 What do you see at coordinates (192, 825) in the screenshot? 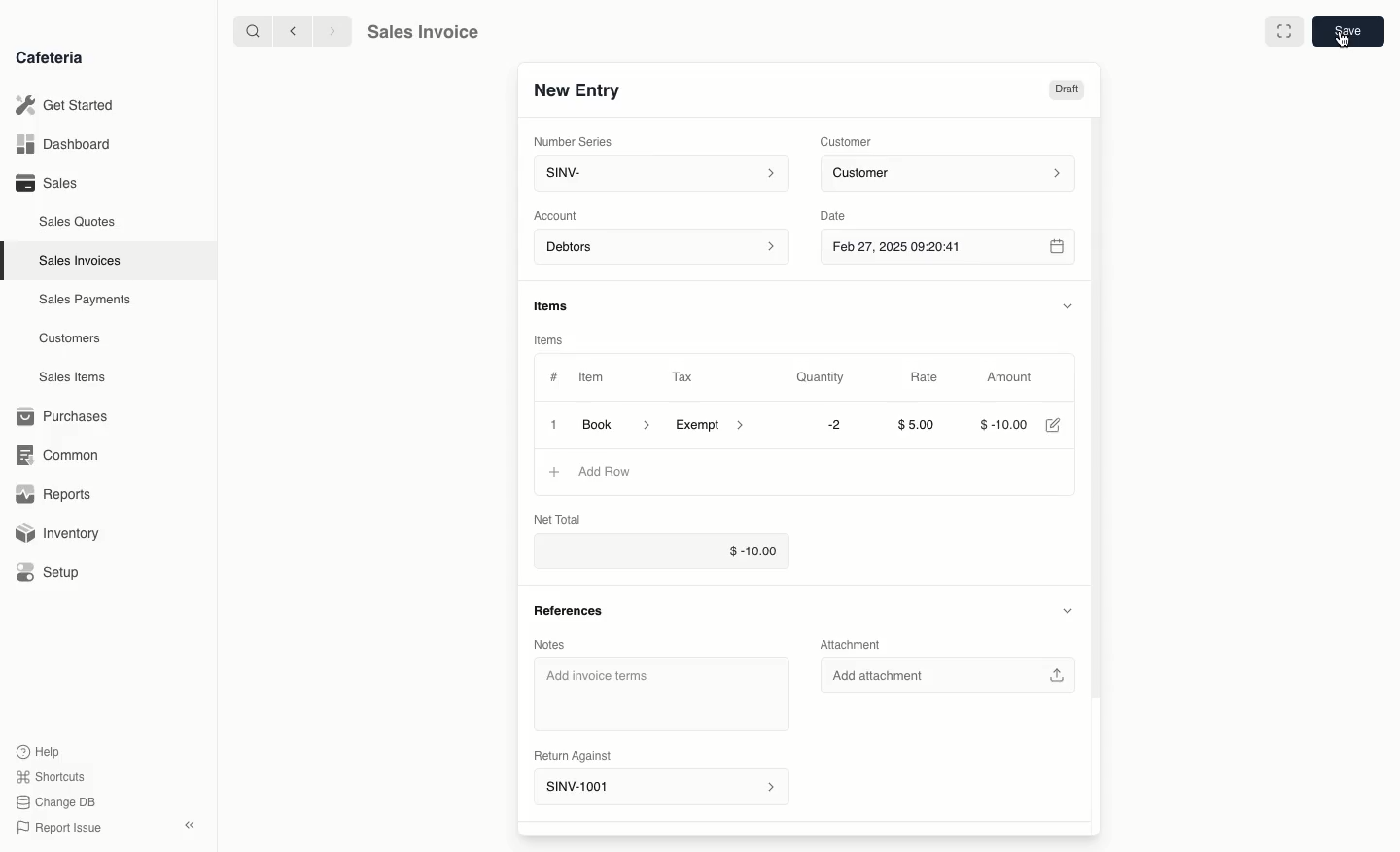
I see `Collapse` at bounding box center [192, 825].